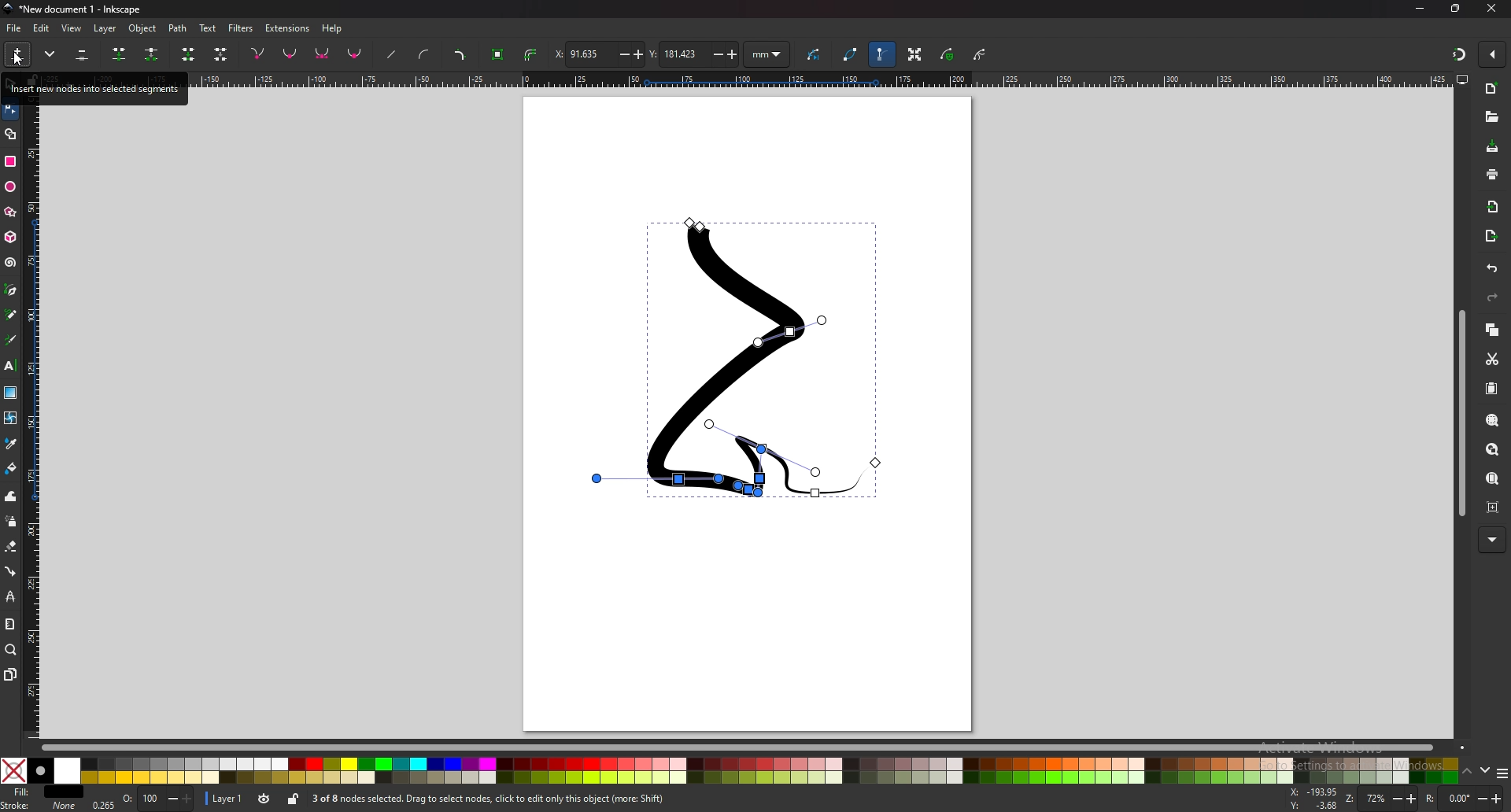  Describe the element at coordinates (819, 79) in the screenshot. I see `horizontal scale` at that location.